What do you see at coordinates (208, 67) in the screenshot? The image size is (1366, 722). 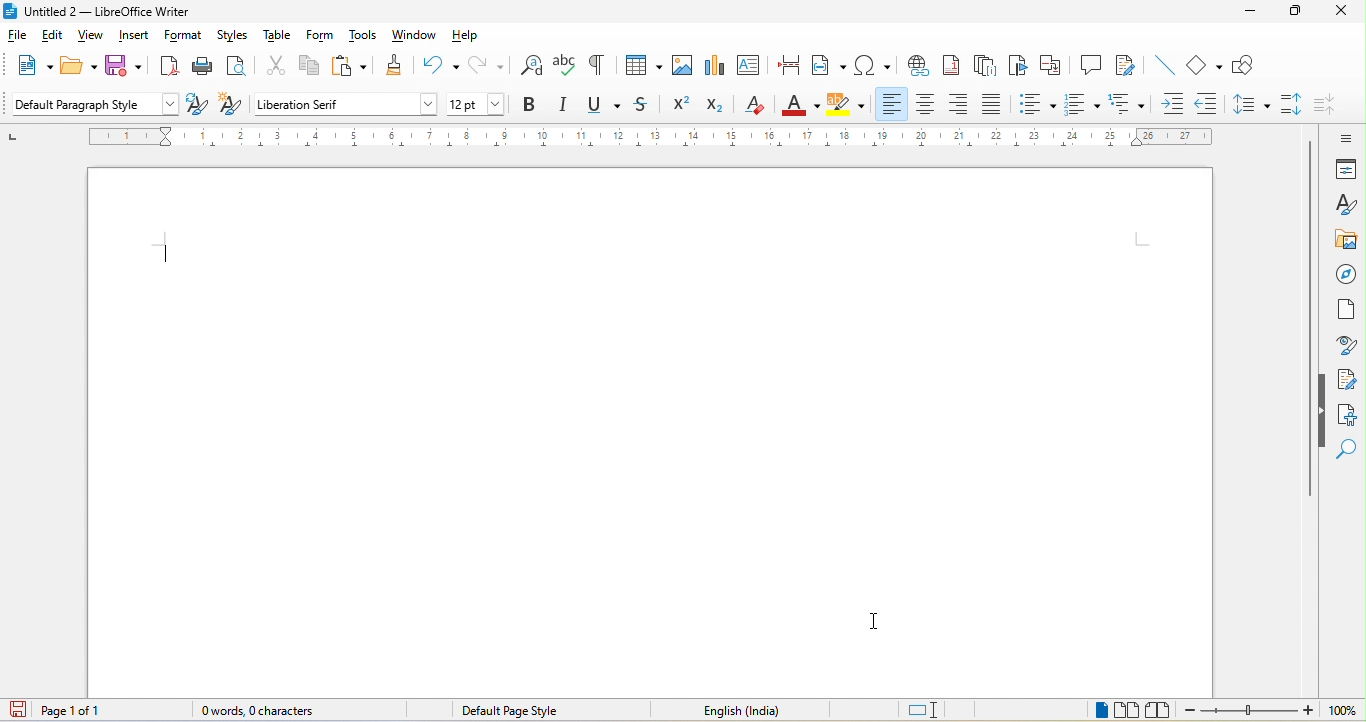 I see `print` at bounding box center [208, 67].